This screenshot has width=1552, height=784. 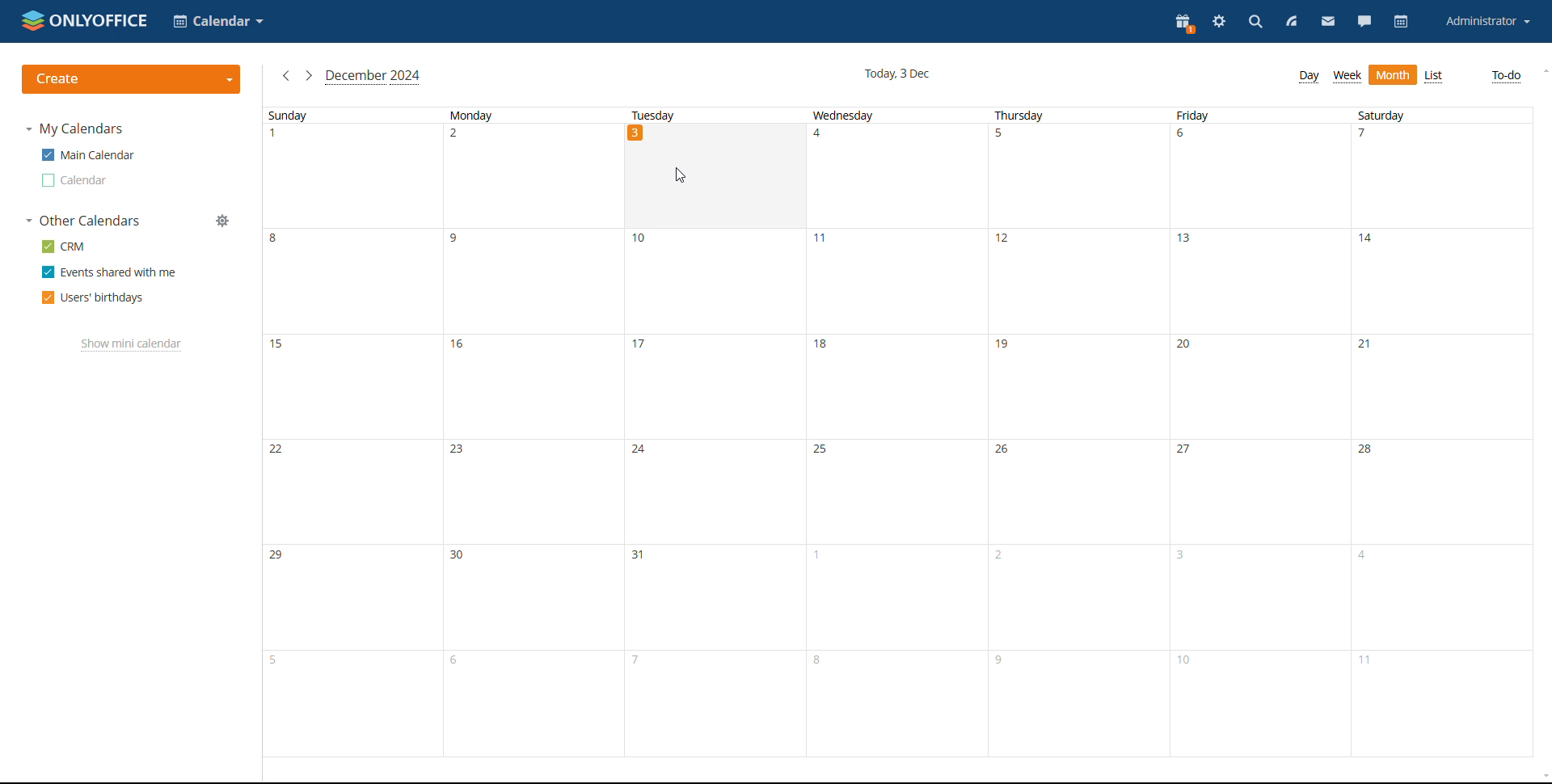 What do you see at coordinates (1434, 77) in the screenshot?
I see `list view` at bounding box center [1434, 77].